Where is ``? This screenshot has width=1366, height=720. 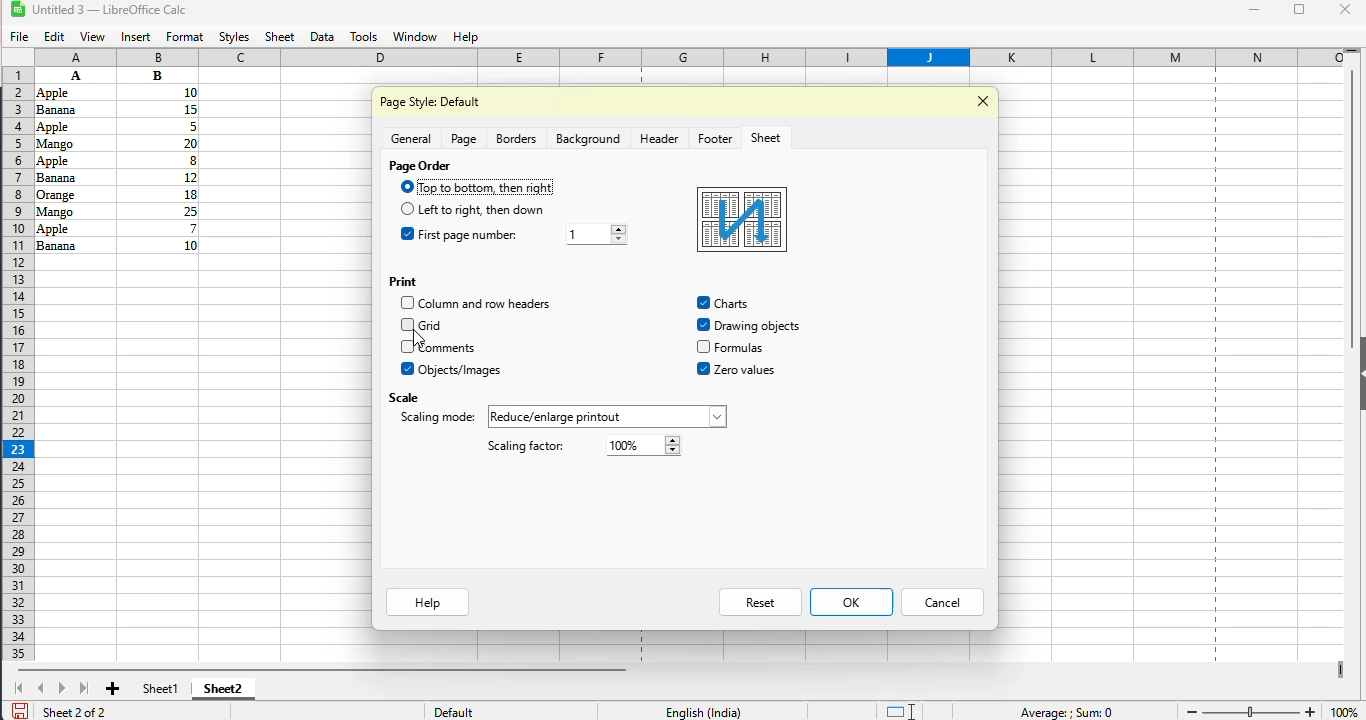
 is located at coordinates (407, 209).